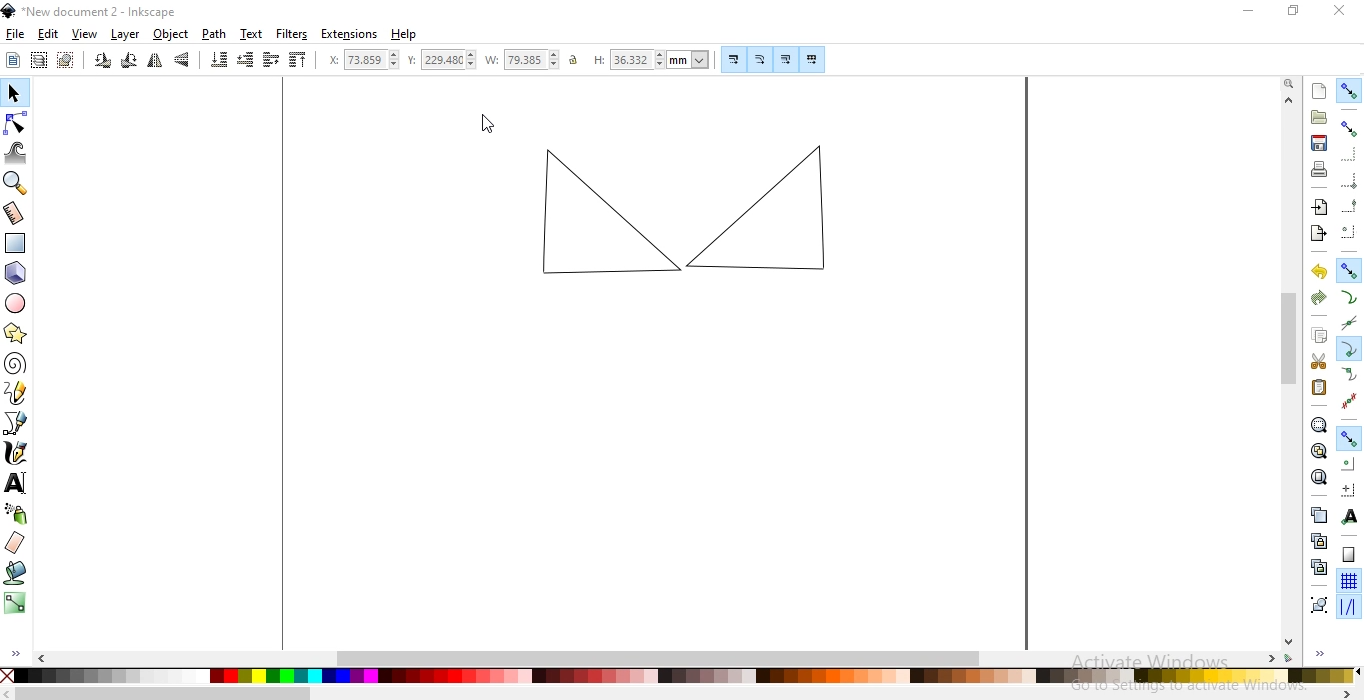  Describe the element at coordinates (15, 396) in the screenshot. I see `draw freehand lines` at that location.